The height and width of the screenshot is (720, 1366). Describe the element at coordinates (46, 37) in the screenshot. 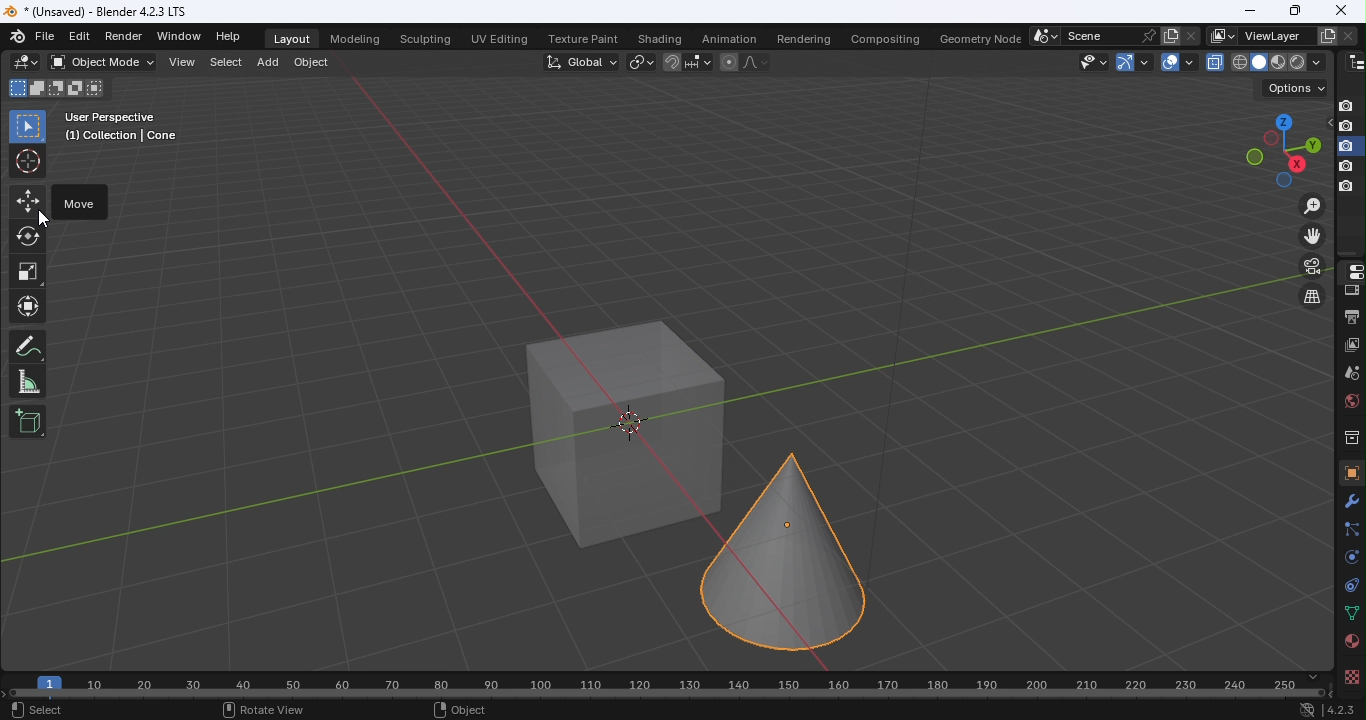

I see `File` at that location.